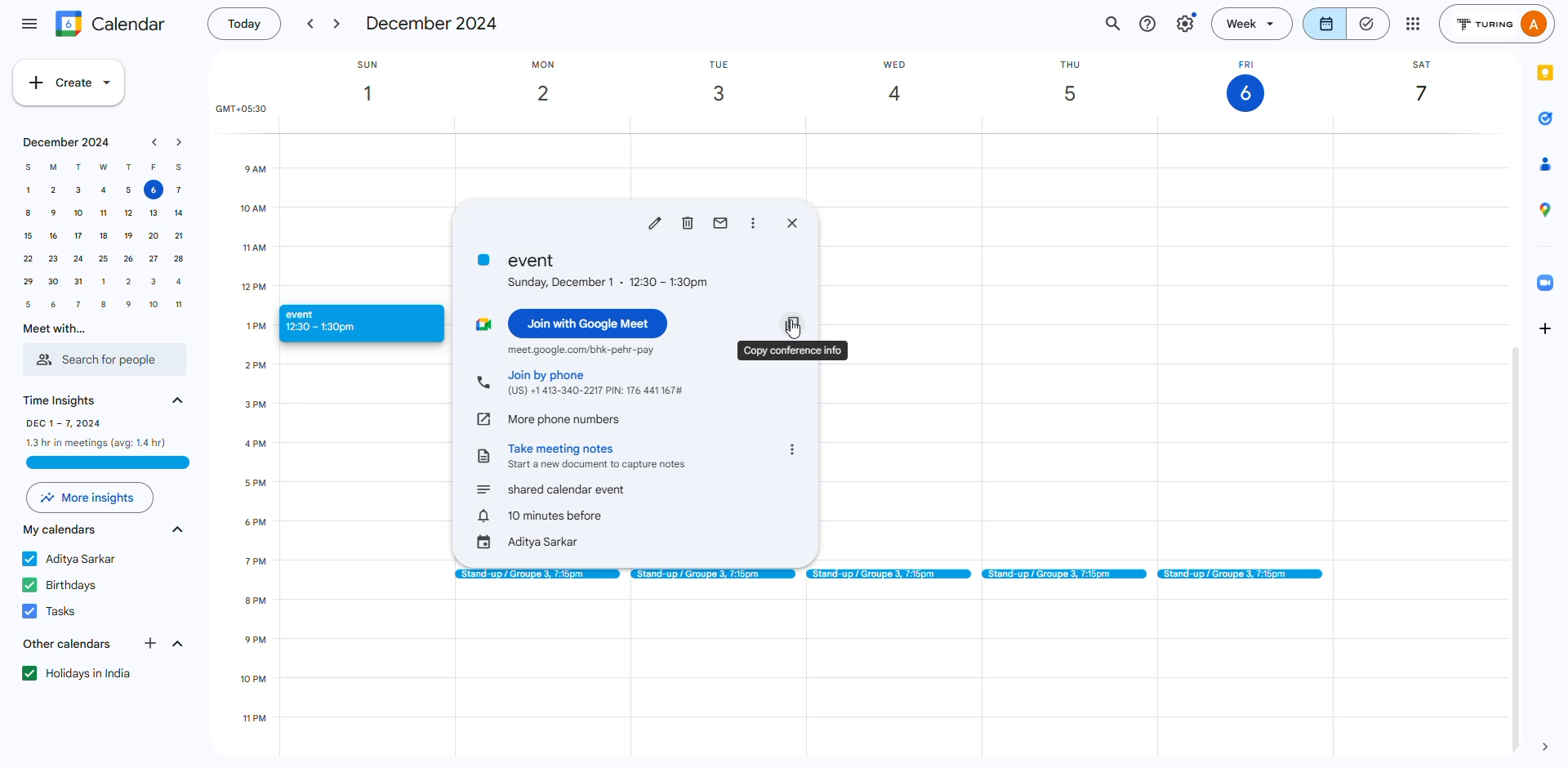  I want to click on T, so click(78, 166).